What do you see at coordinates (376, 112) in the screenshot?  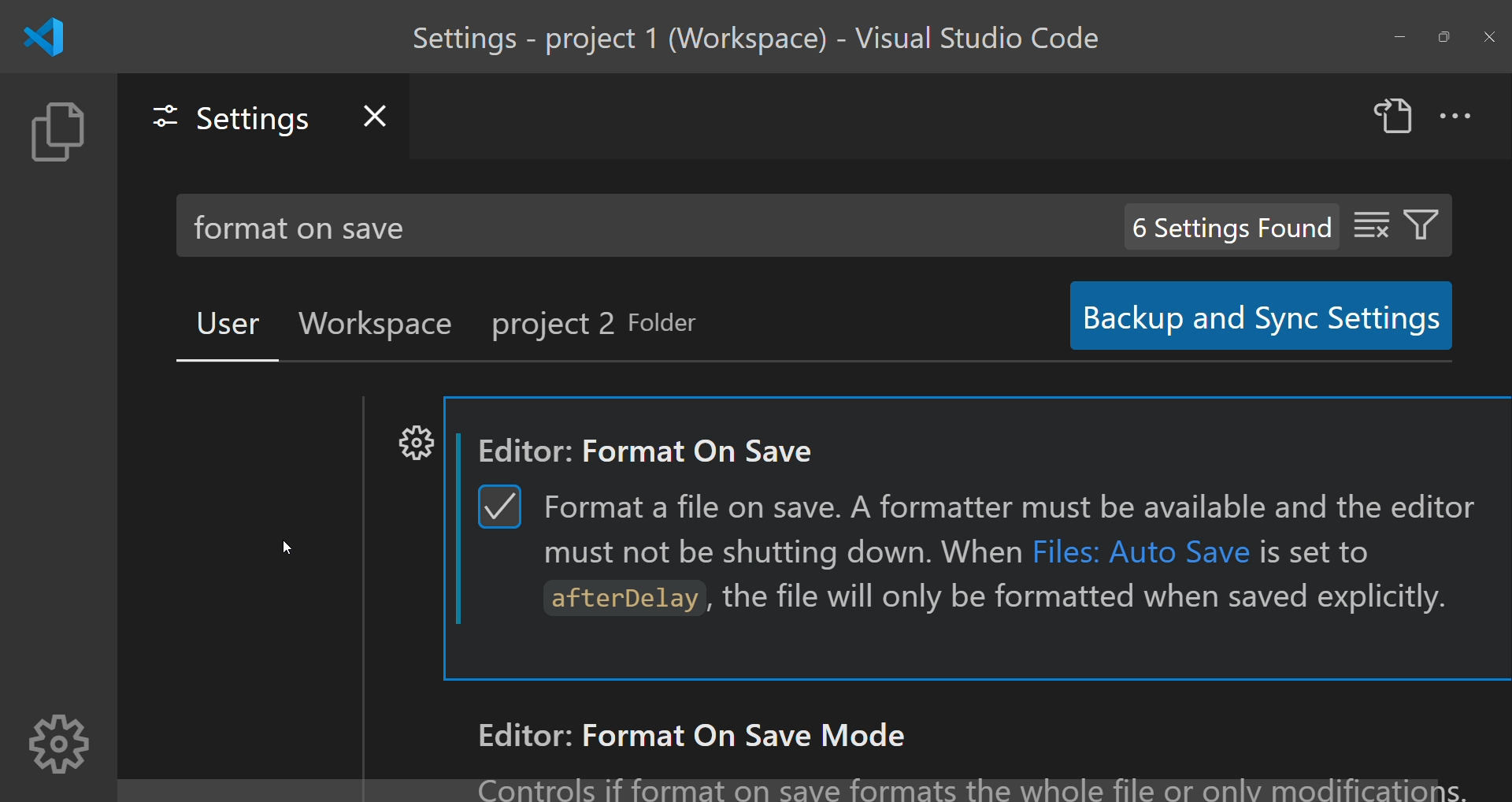 I see `close settings` at bounding box center [376, 112].